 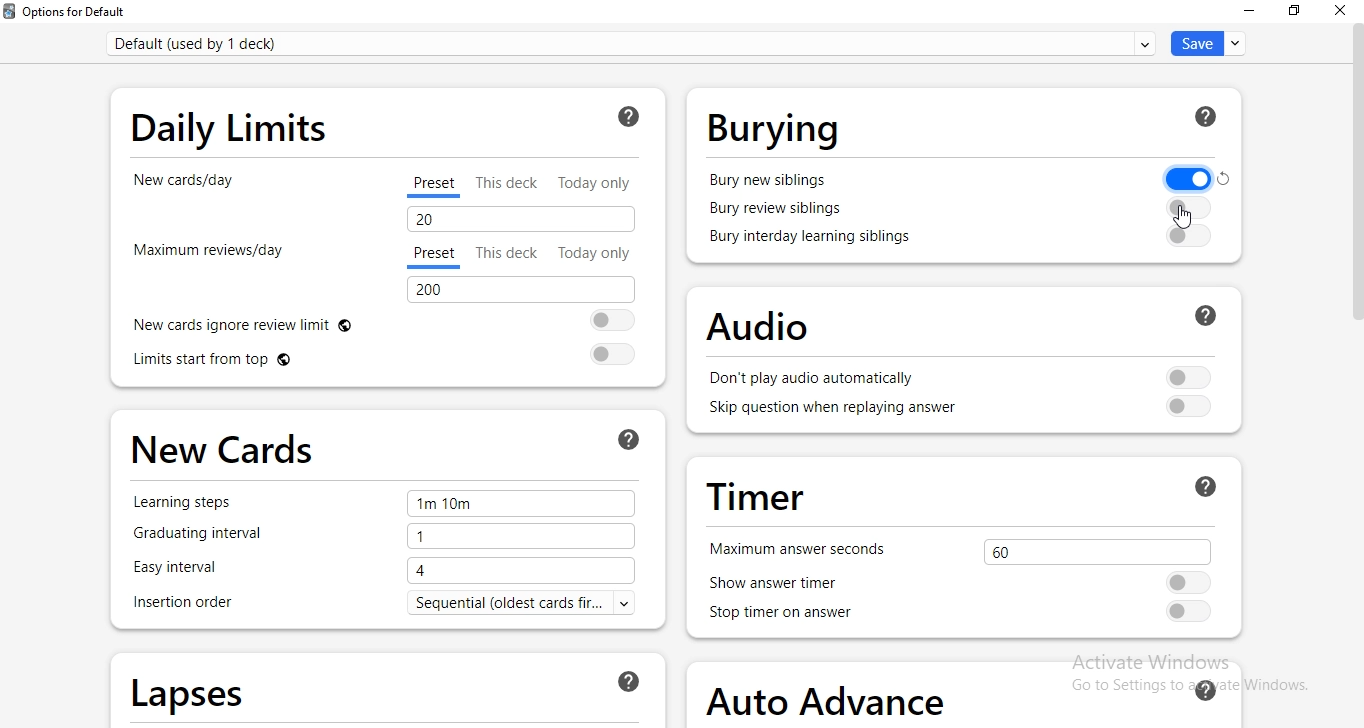 I want to click on new cards ignore review limit, so click(x=260, y=323).